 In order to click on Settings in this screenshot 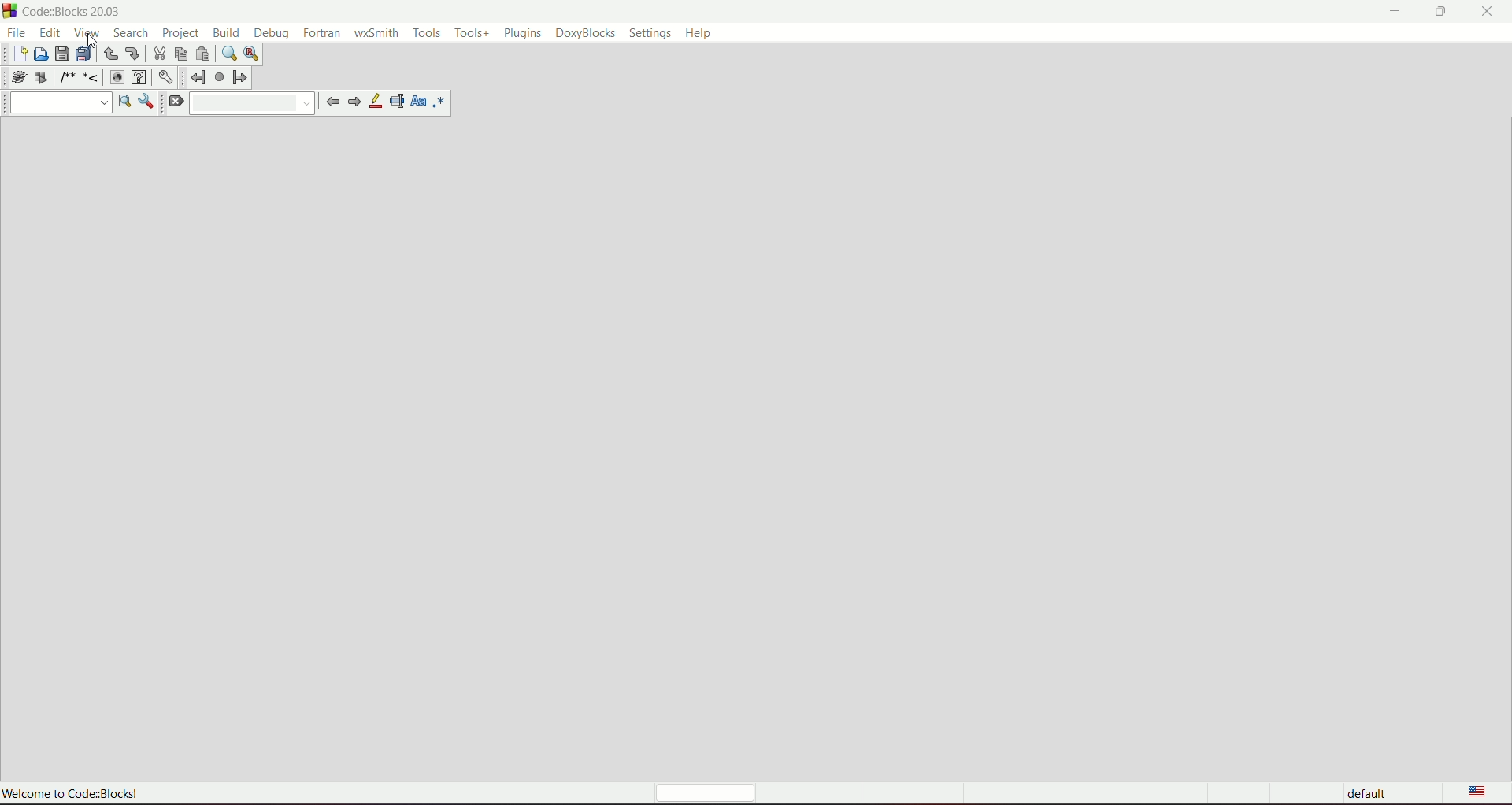, I will do `click(171, 76)`.